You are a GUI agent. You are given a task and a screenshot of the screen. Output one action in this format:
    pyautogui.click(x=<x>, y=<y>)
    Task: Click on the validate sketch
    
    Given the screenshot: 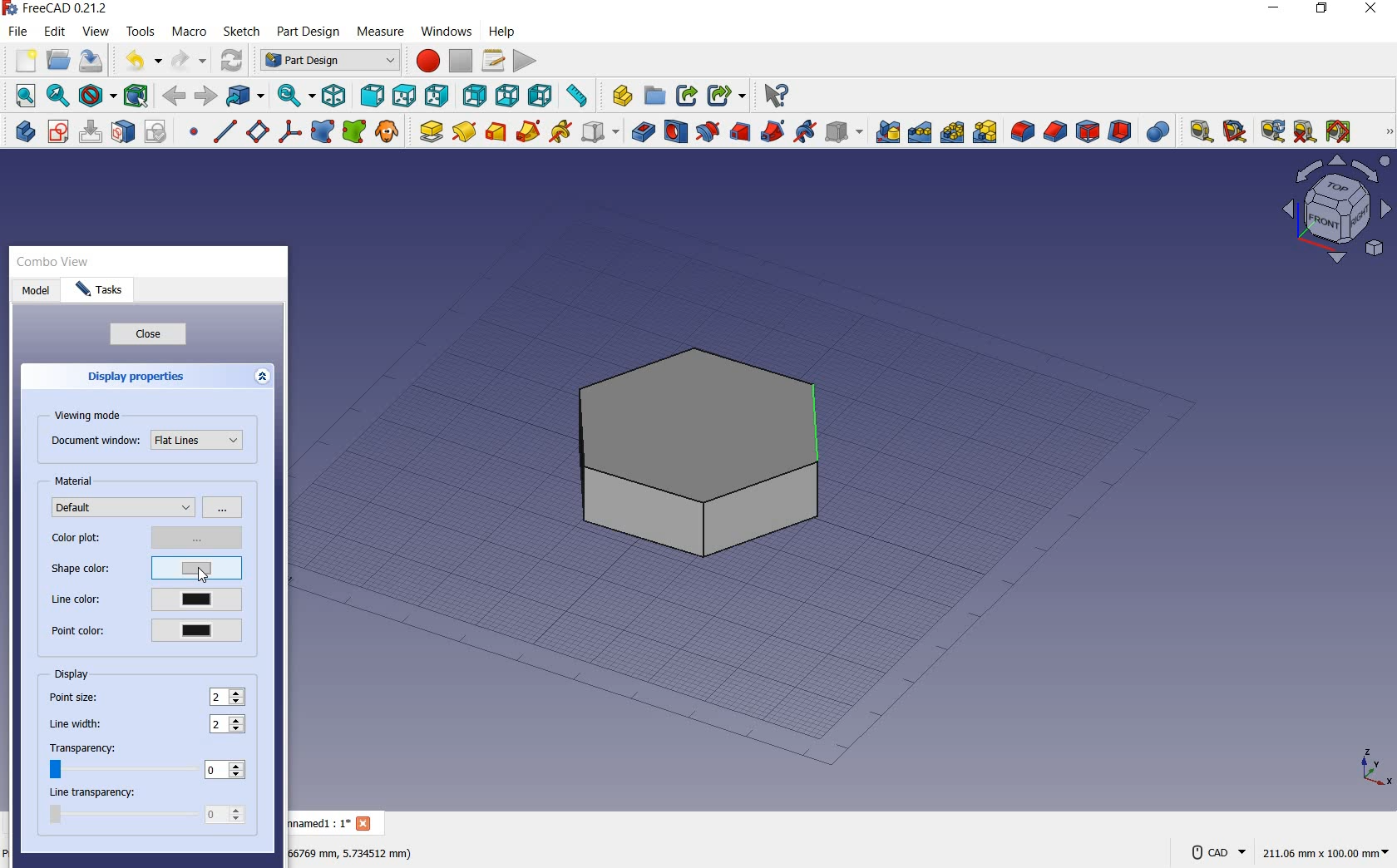 What is the action you would take?
    pyautogui.click(x=159, y=131)
    